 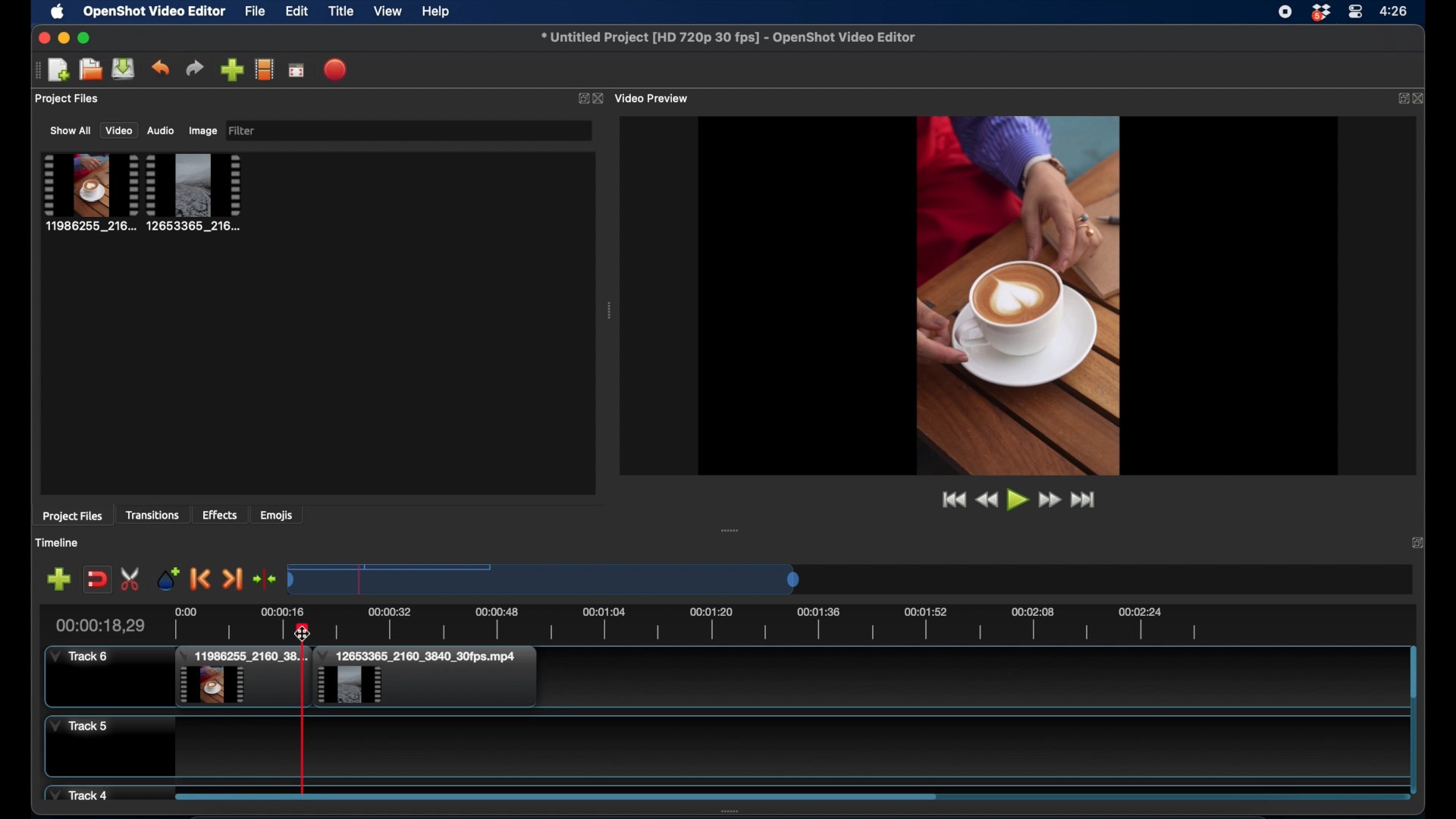 I want to click on file name, so click(x=730, y=38).